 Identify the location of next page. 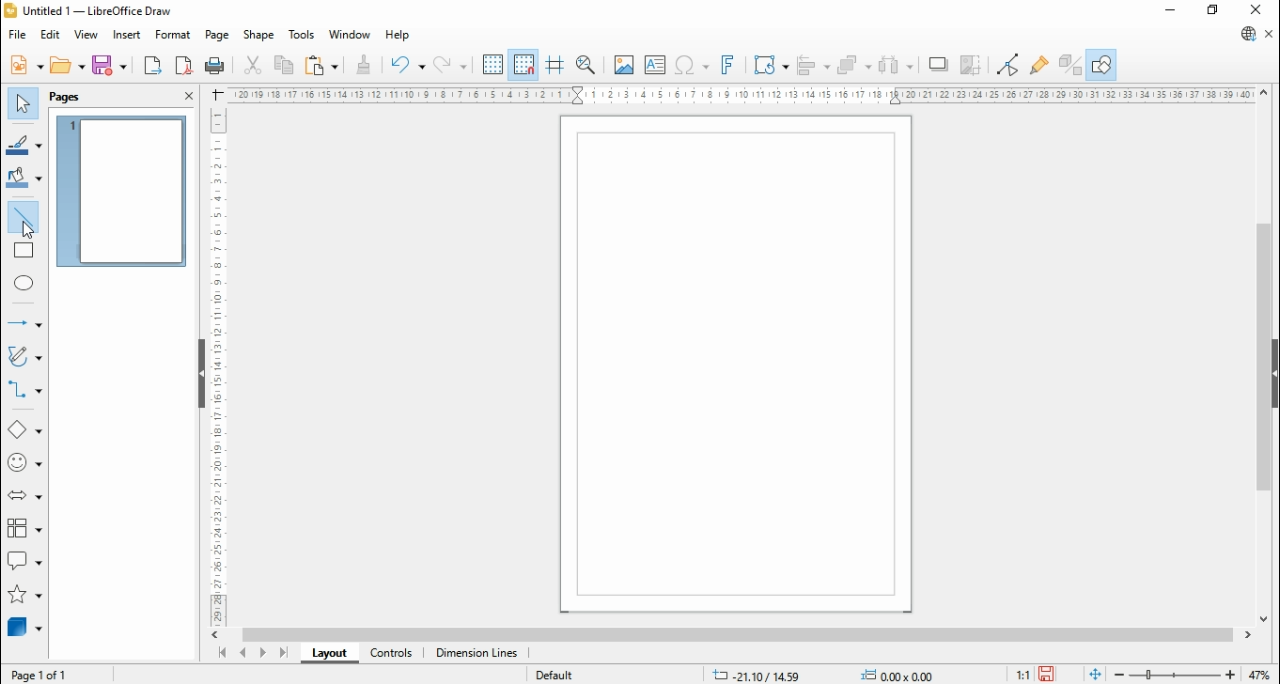
(262, 652).